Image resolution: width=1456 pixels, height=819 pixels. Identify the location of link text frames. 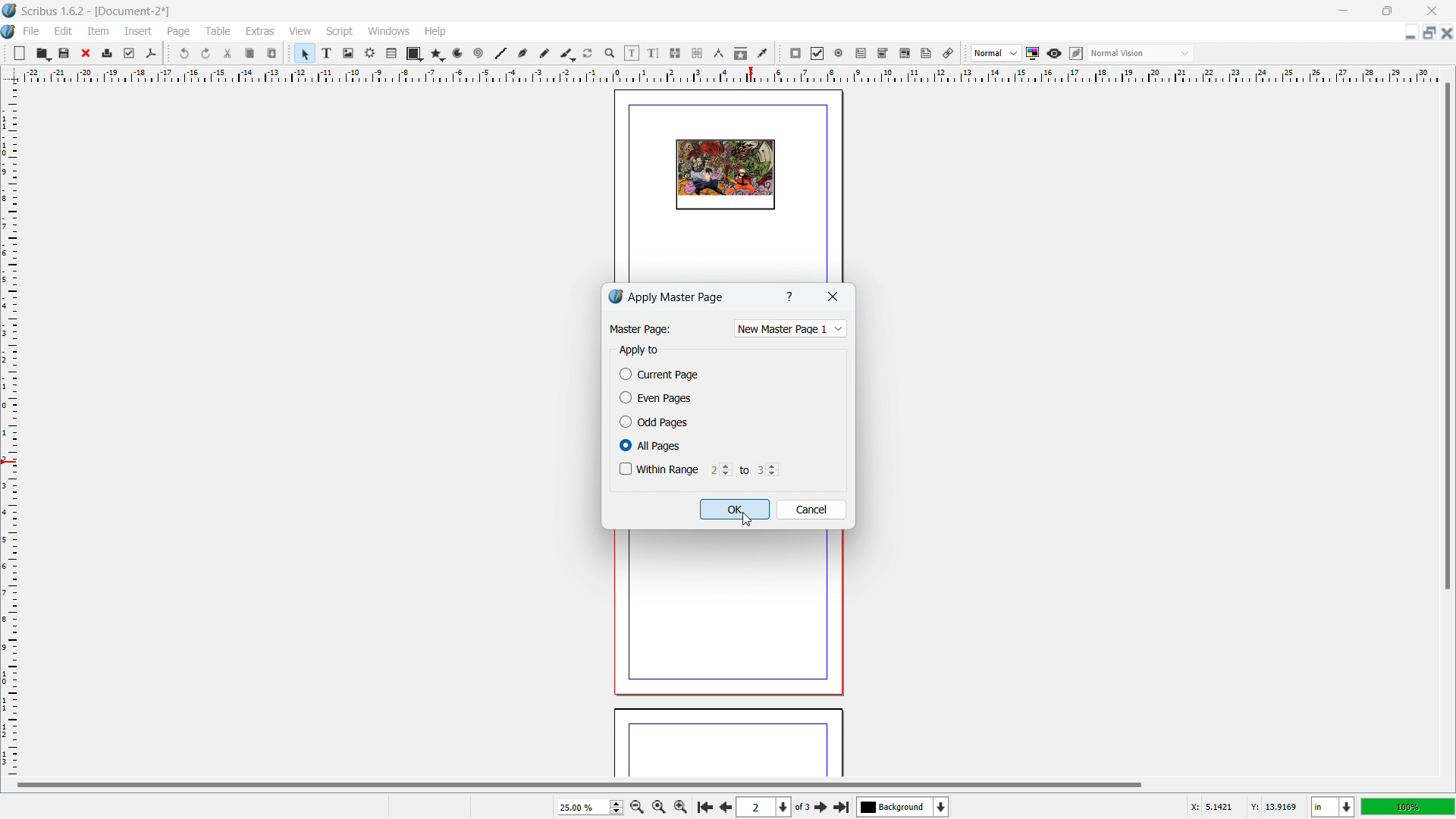
(676, 54).